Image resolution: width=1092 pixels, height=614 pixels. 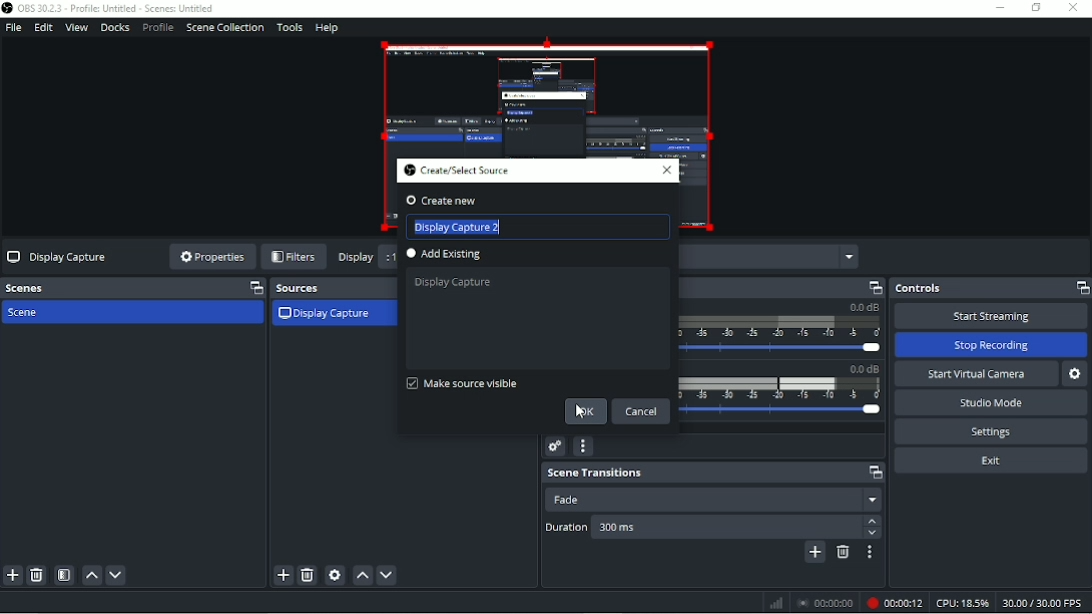 I want to click on Filters, so click(x=294, y=258).